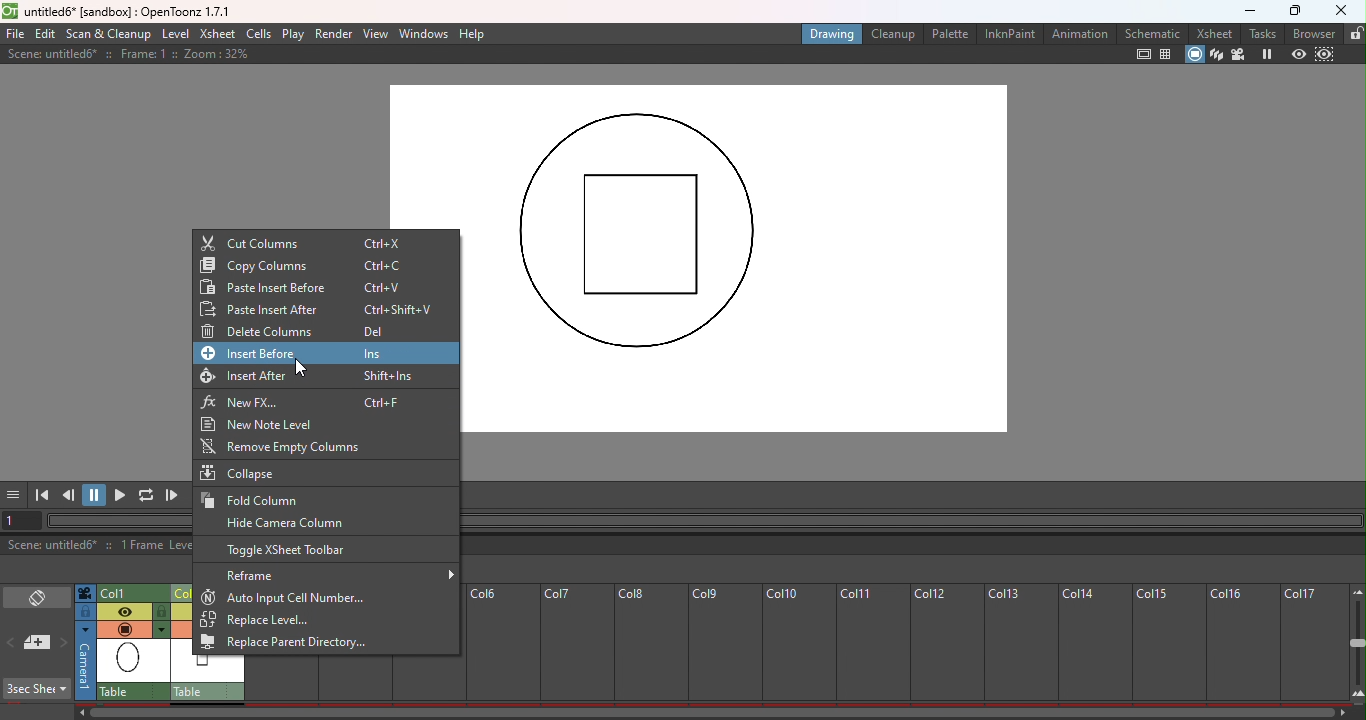 The height and width of the screenshot is (720, 1366). Describe the element at coordinates (254, 500) in the screenshot. I see `Fold column` at that location.